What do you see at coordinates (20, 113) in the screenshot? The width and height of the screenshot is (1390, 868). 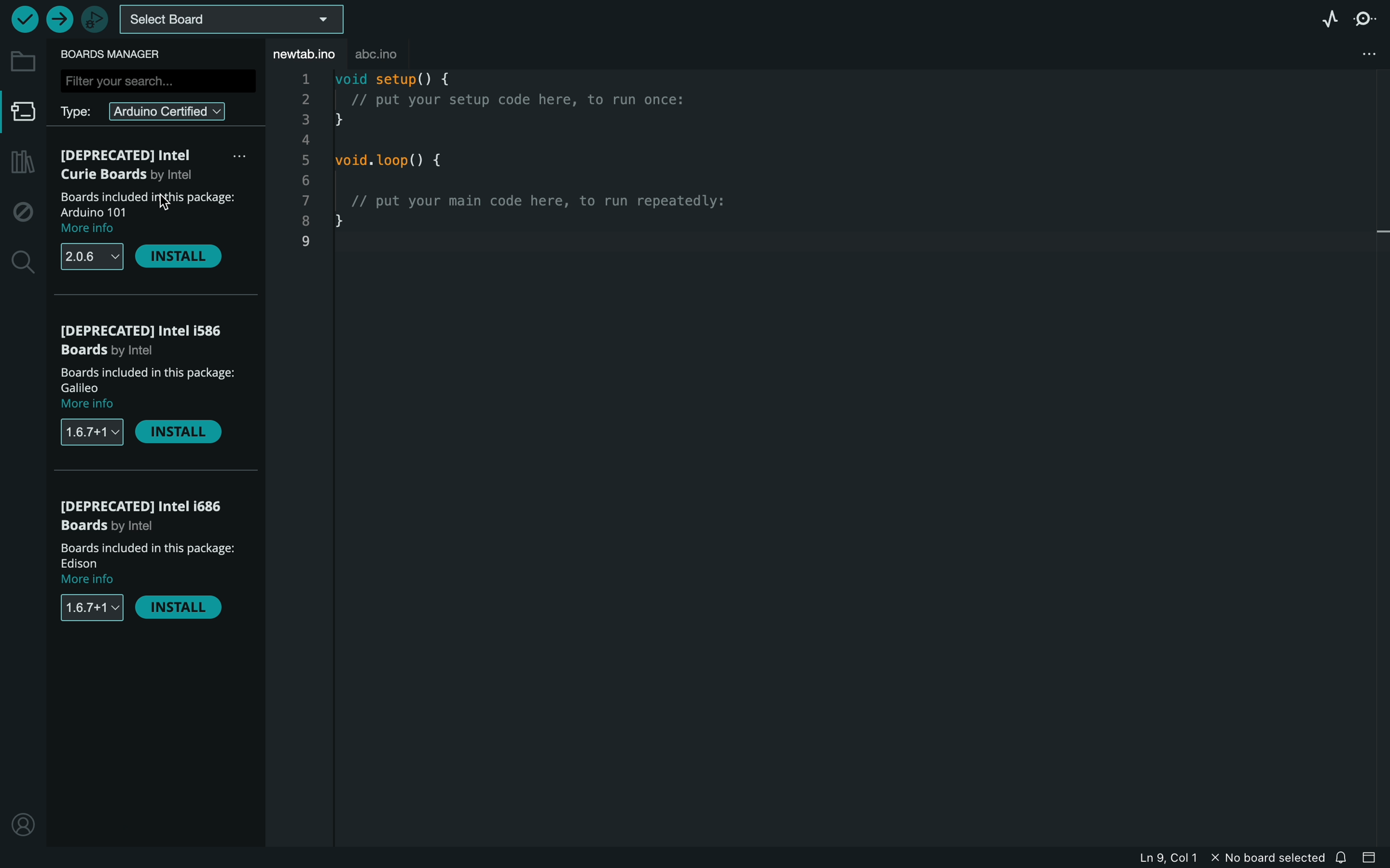 I see `board manager` at bounding box center [20, 113].